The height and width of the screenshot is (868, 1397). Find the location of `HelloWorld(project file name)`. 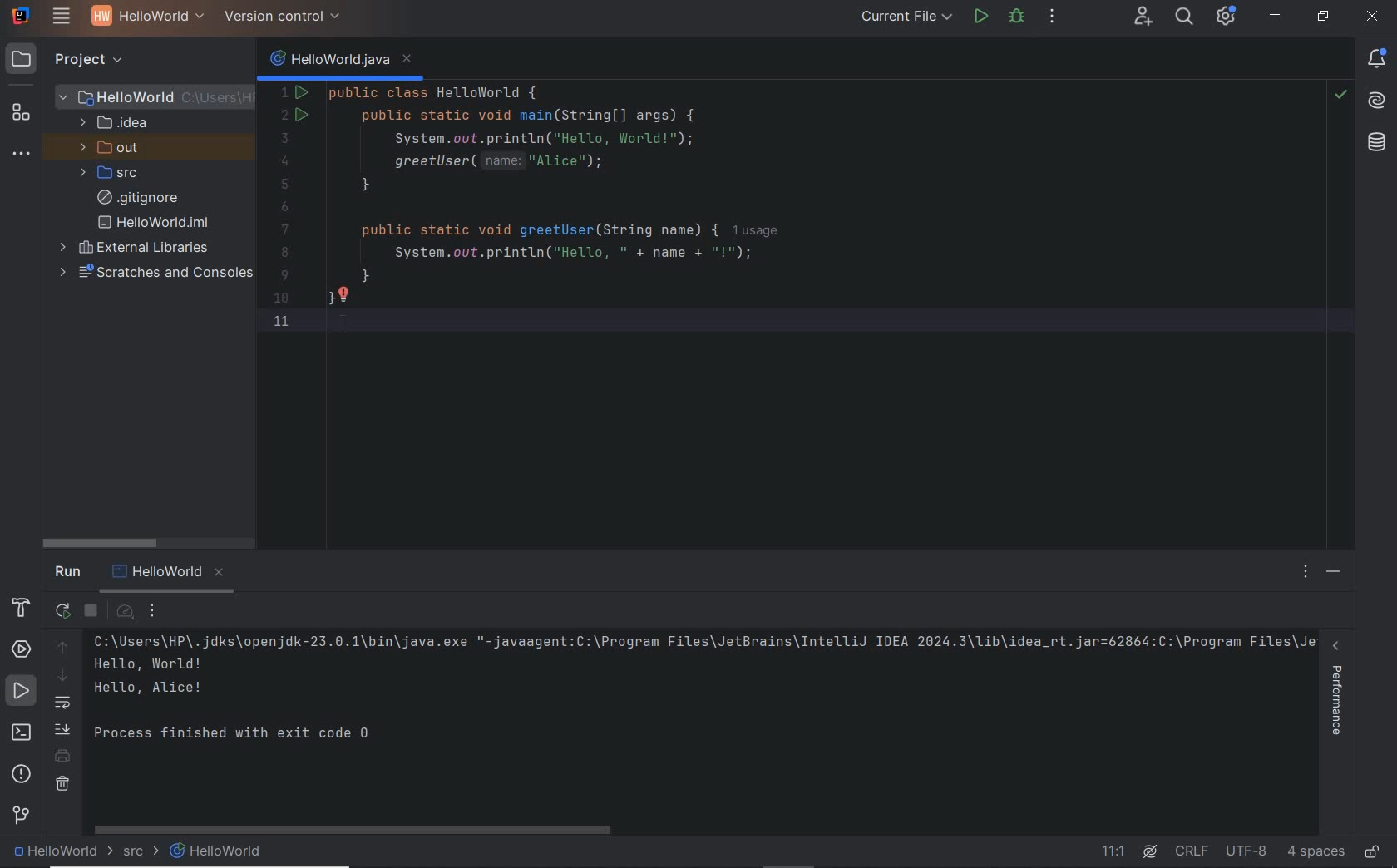

HelloWorld(project file name) is located at coordinates (165, 570).